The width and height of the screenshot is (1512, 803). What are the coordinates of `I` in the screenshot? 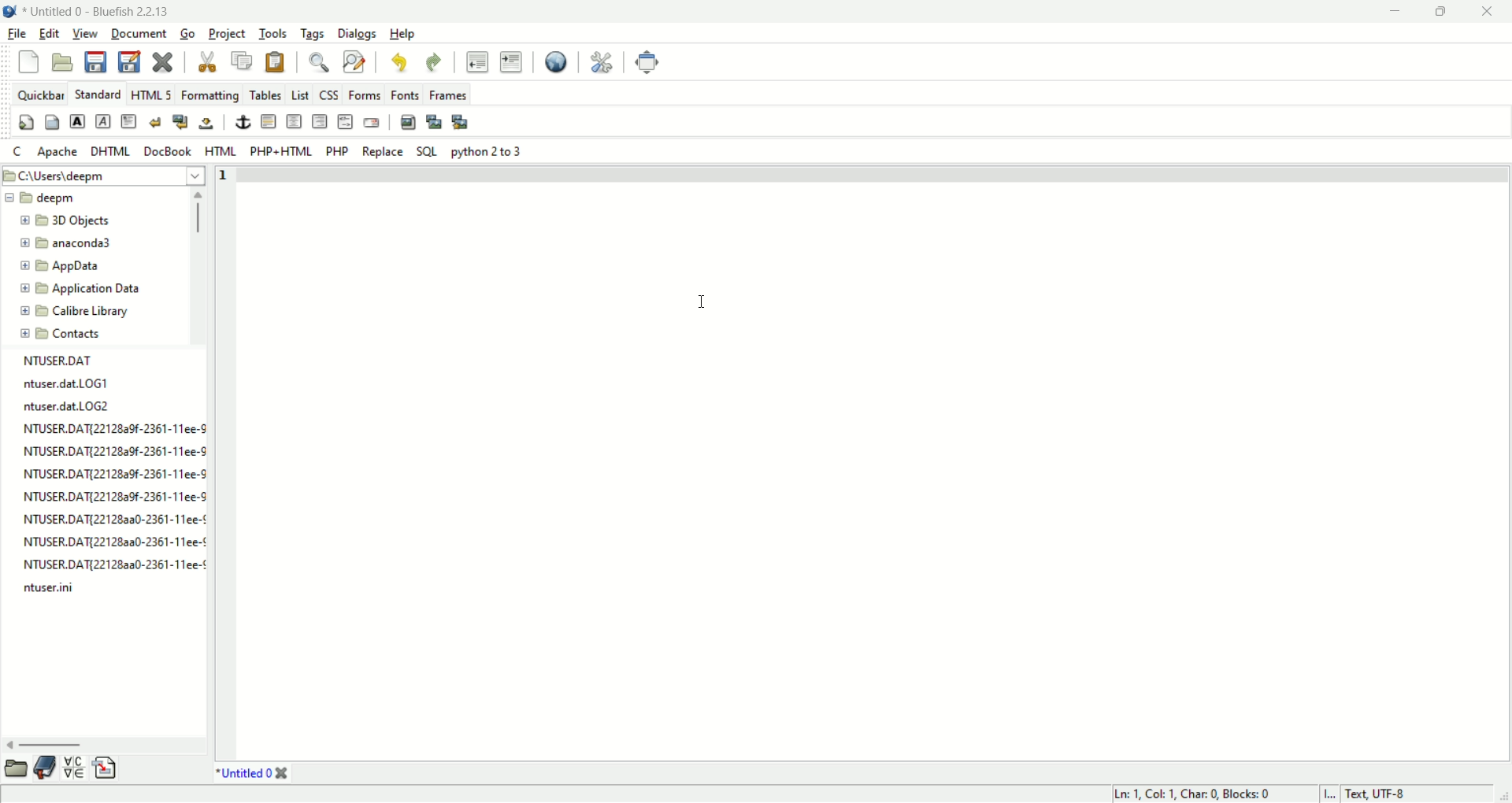 It's located at (1333, 794).